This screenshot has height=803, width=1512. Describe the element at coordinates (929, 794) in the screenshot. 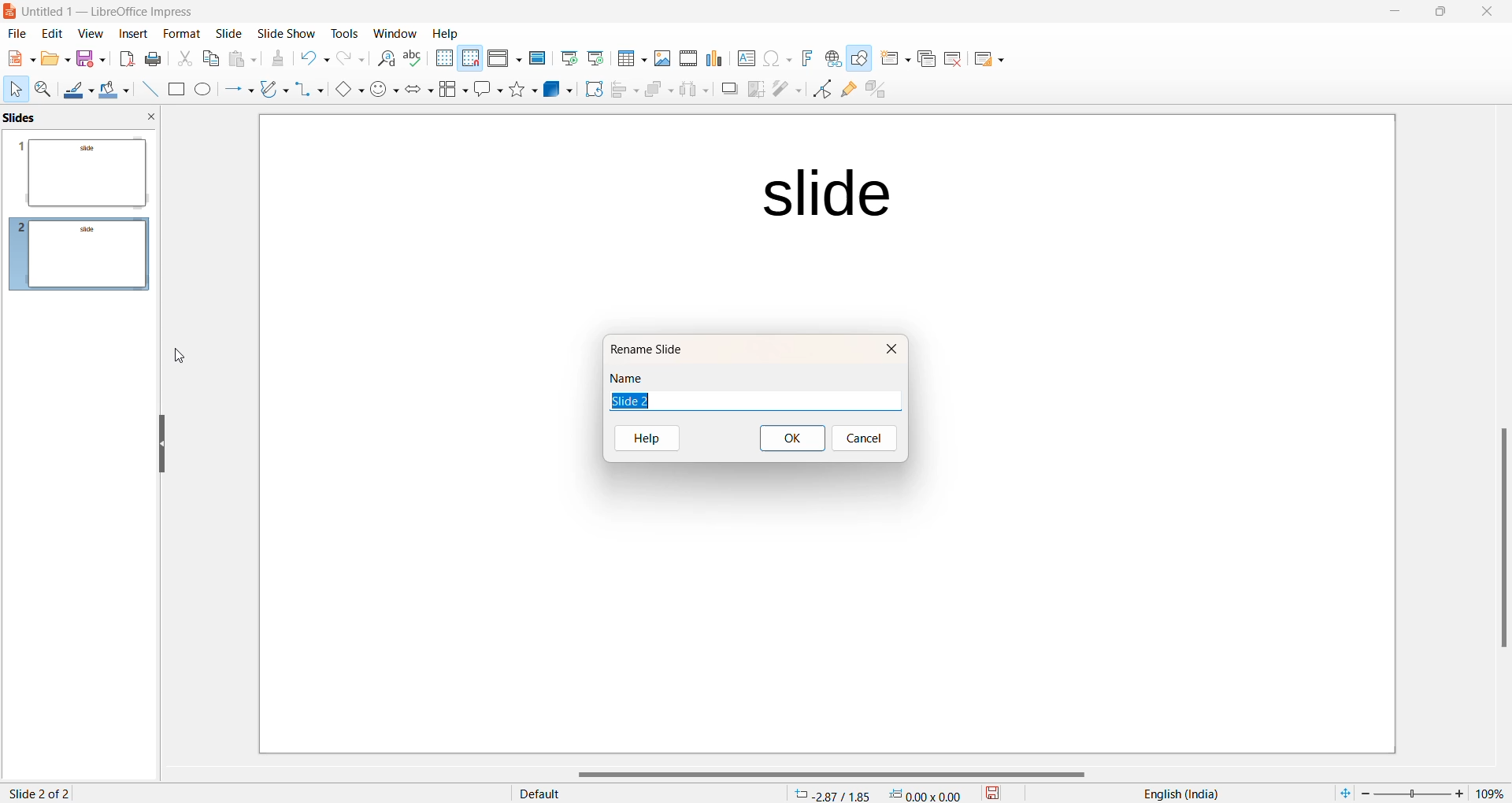

I see `dimension 0.00*0.00` at that location.